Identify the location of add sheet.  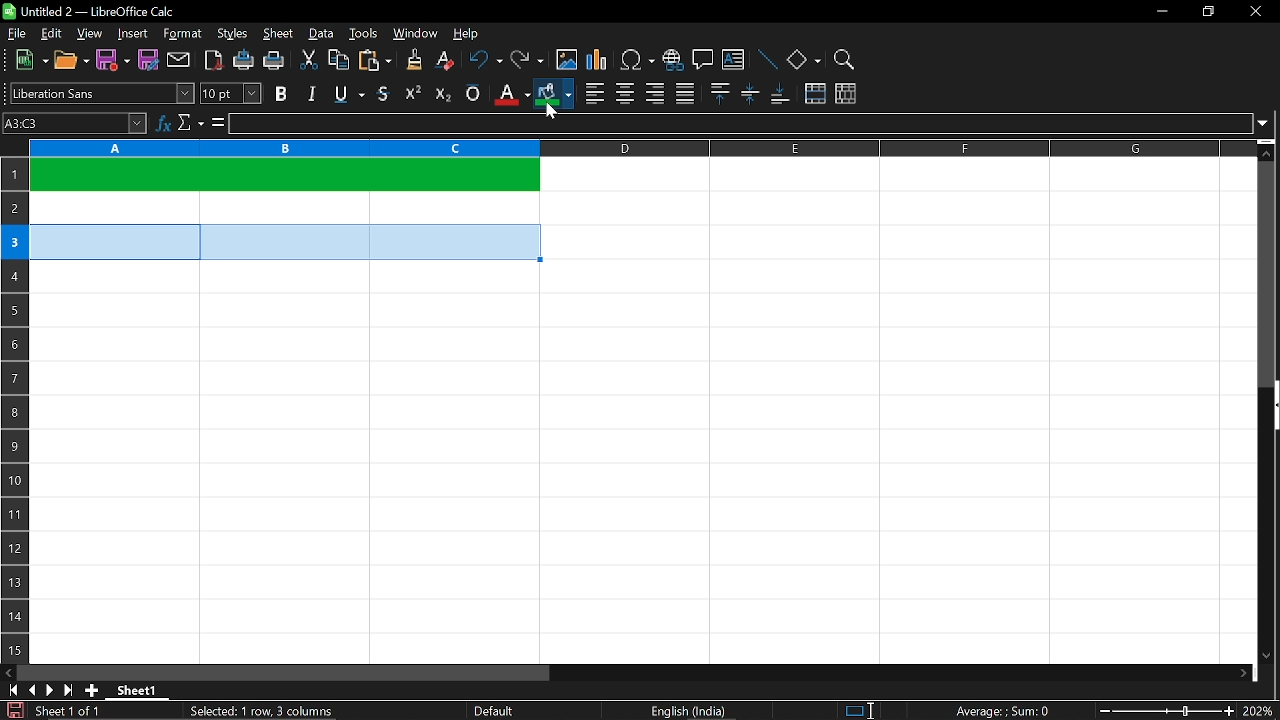
(92, 691).